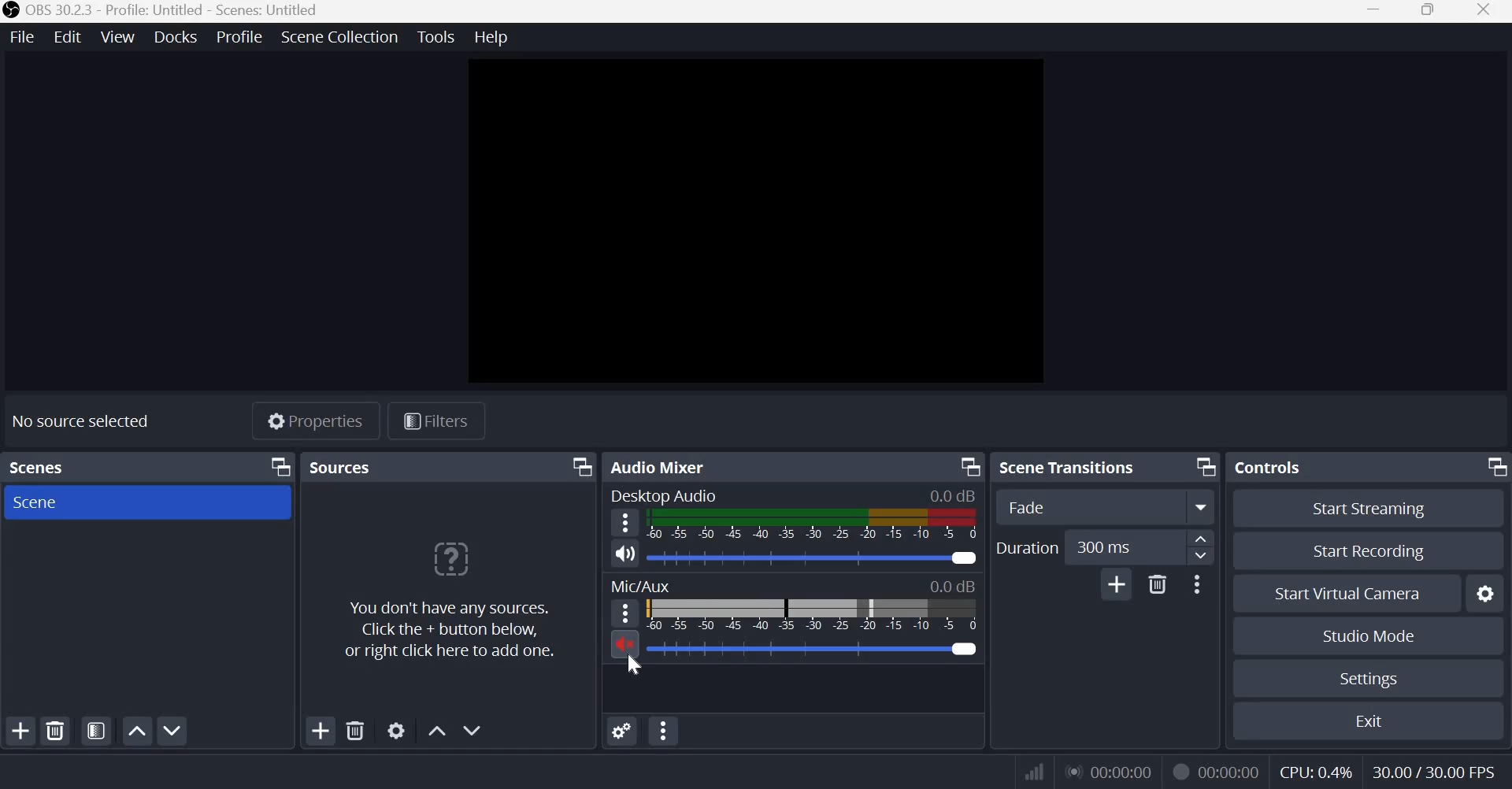 This screenshot has height=789, width=1512. Describe the element at coordinates (1035, 770) in the screenshot. I see `Connection Status Indicator` at that location.